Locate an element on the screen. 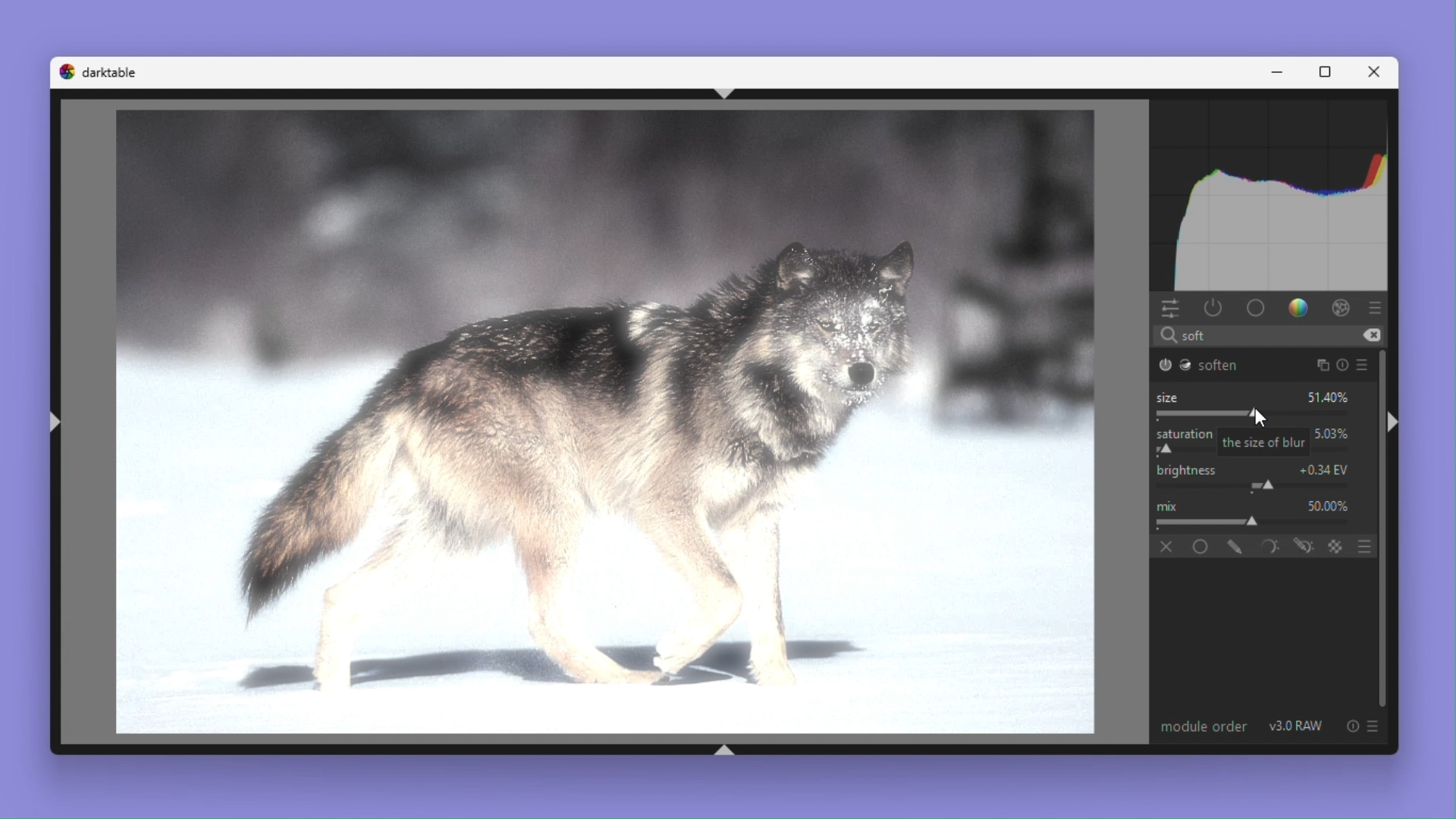 The width and height of the screenshot is (1456, 819). Dark table logo is located at coordinates (110, 71).